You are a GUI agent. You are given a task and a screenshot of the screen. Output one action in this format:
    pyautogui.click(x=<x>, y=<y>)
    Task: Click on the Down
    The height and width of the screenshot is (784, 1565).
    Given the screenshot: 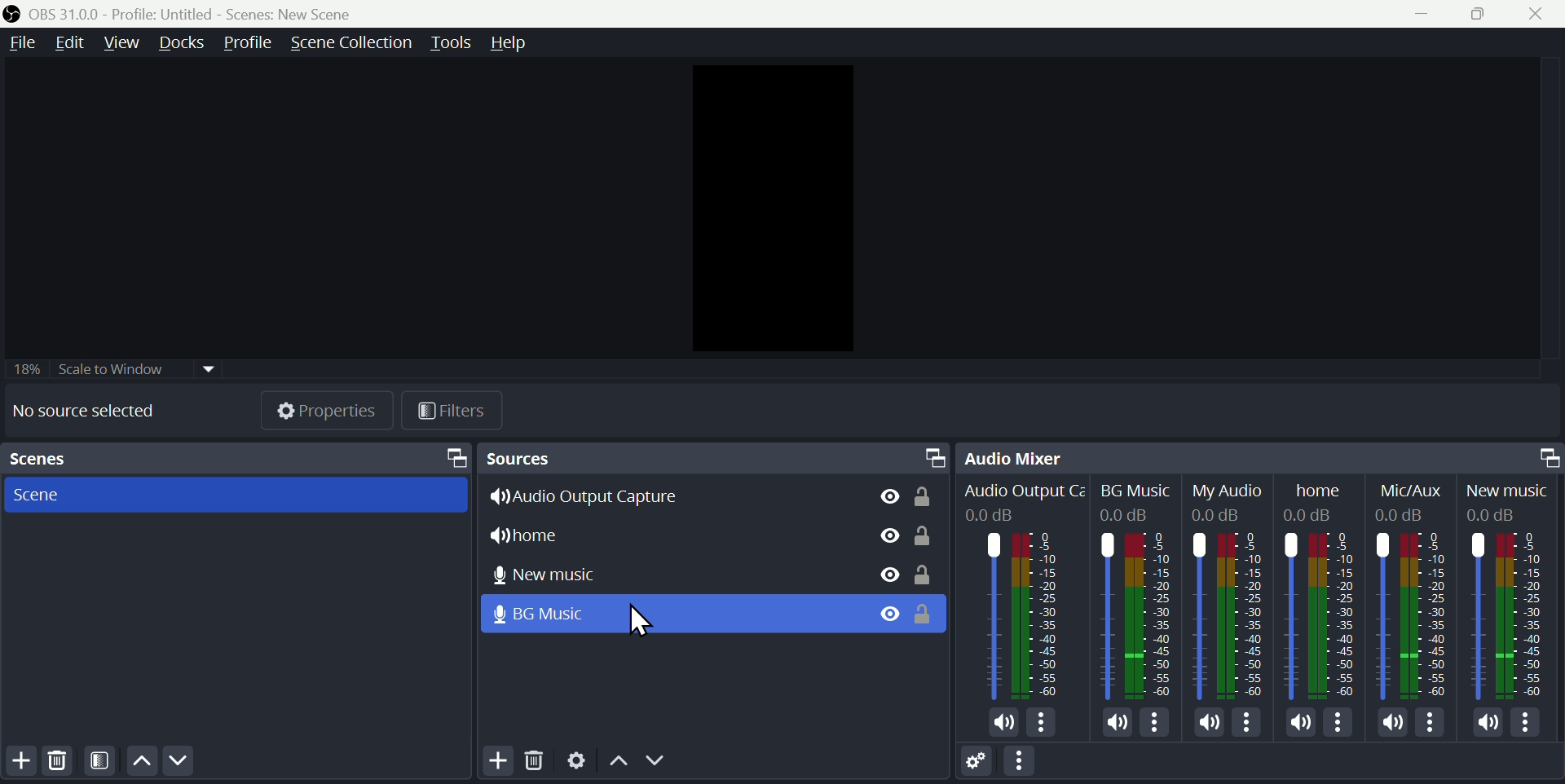 What is the action you would take?
    pyautogui.click(x=183, y=764)
    